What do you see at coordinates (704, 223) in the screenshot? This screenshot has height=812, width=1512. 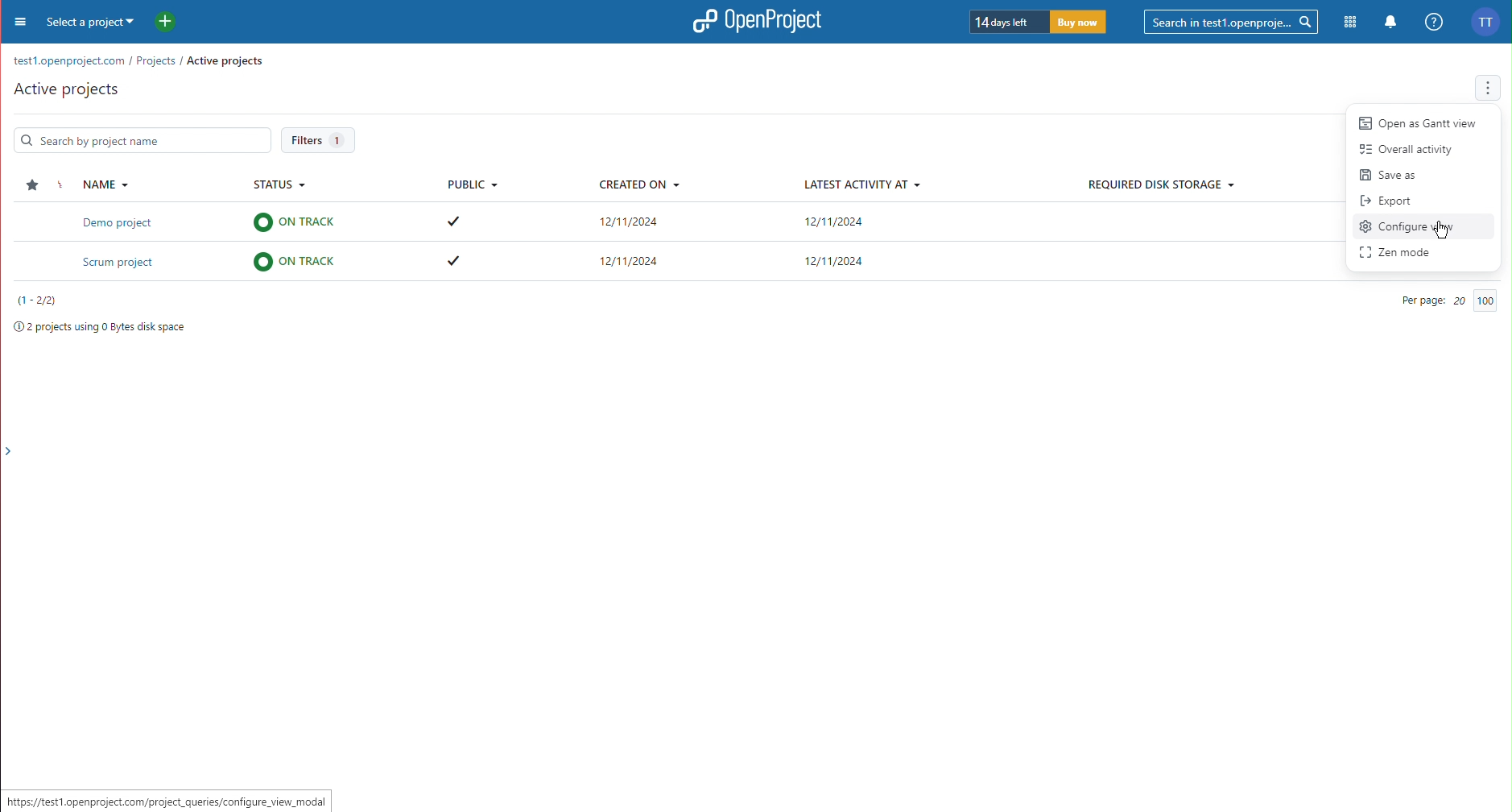 I see `Demo project` at bounding box center [704, 223].